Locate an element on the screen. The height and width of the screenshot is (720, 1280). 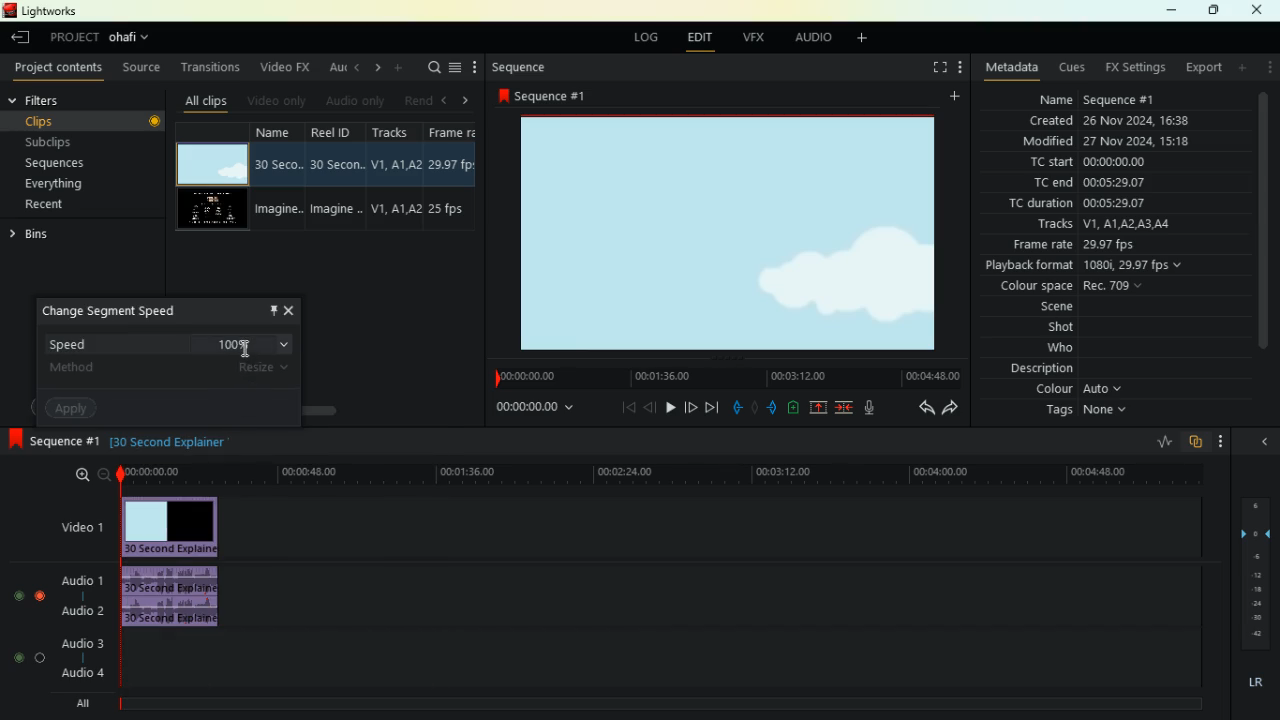
menu is located at coordinates (455, 69).